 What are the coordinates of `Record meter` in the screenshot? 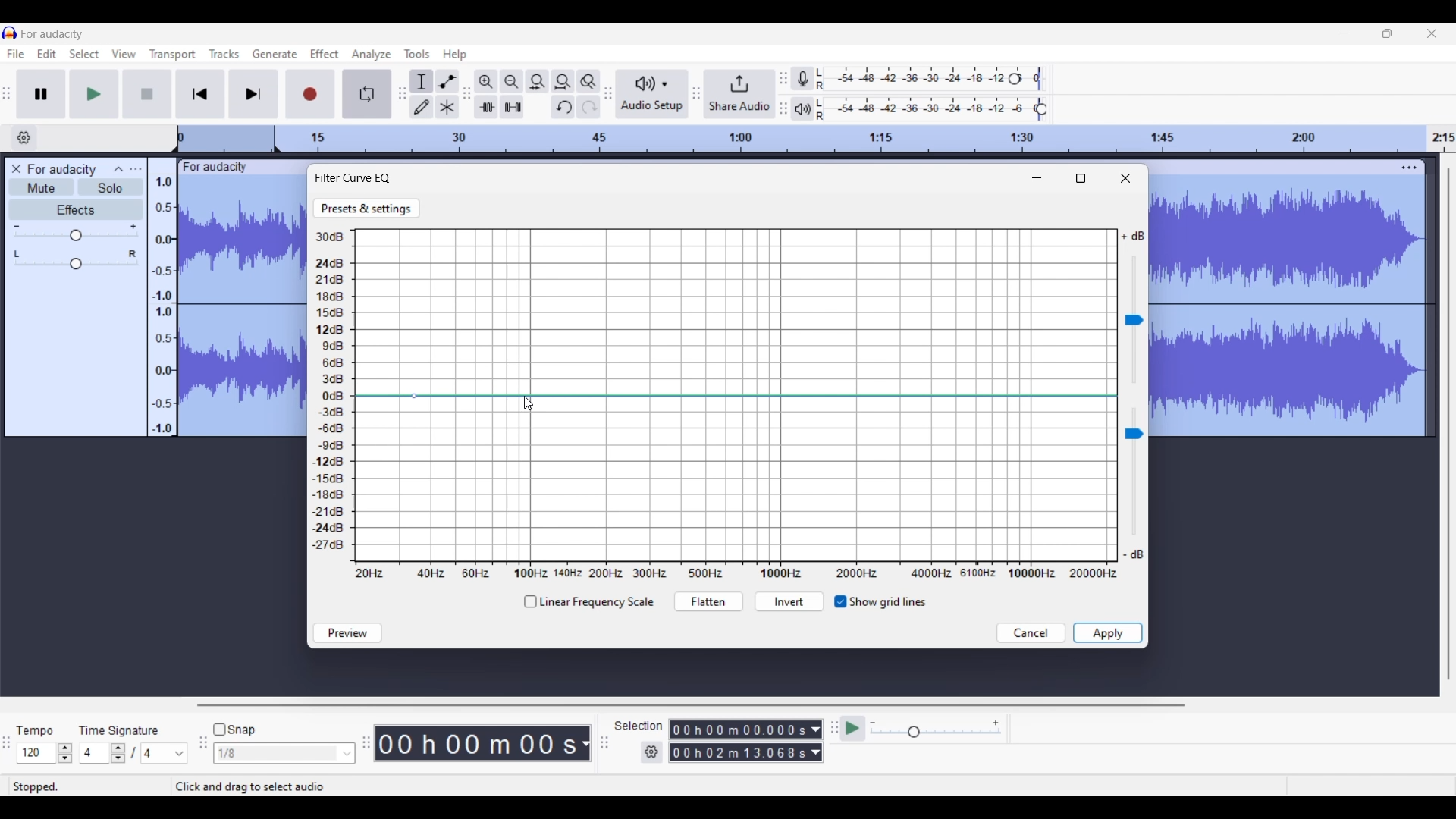 It's located at (803, 78).